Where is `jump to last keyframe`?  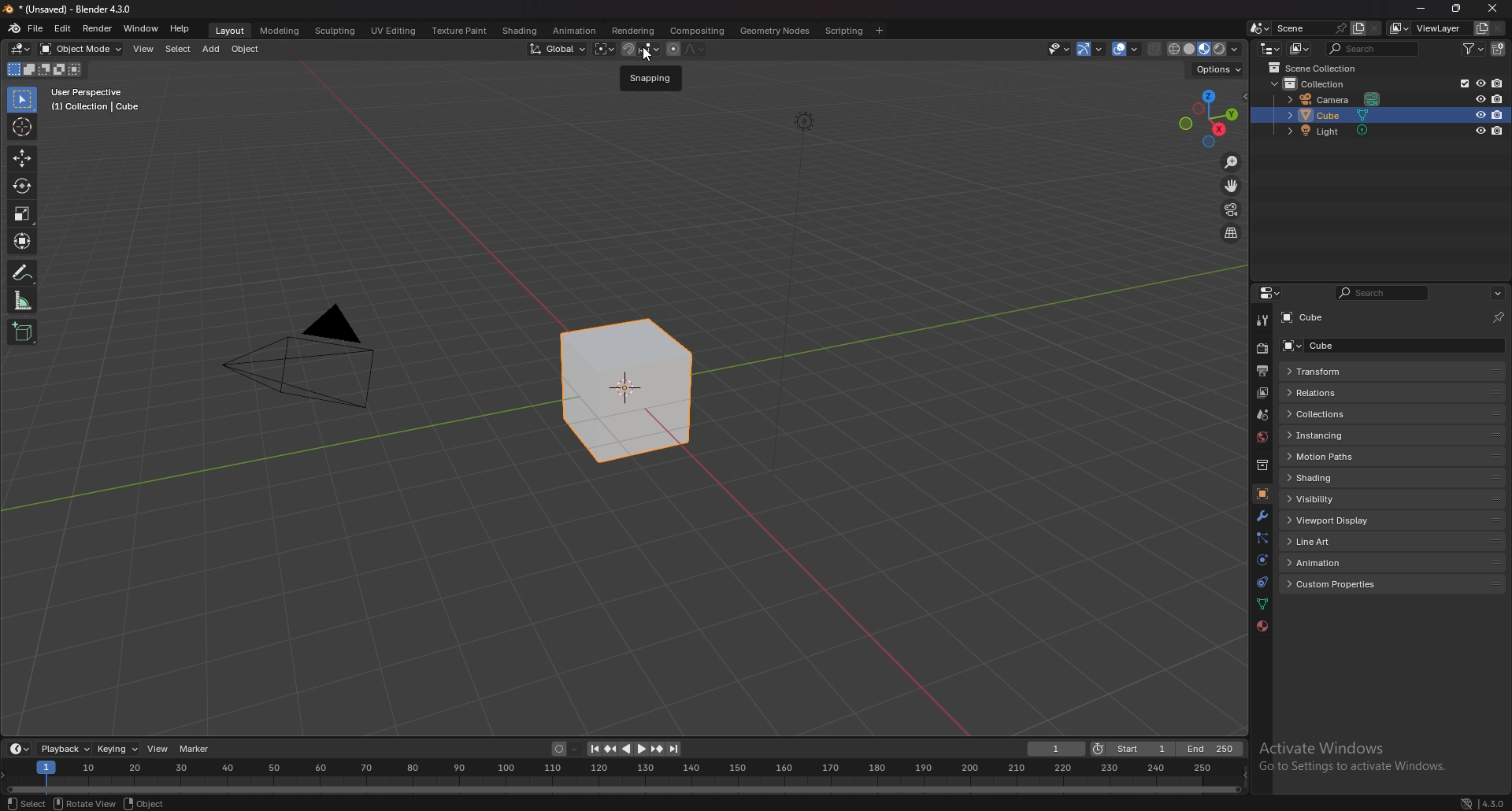
jump to last keyframe is located at coordinates (656, 749).